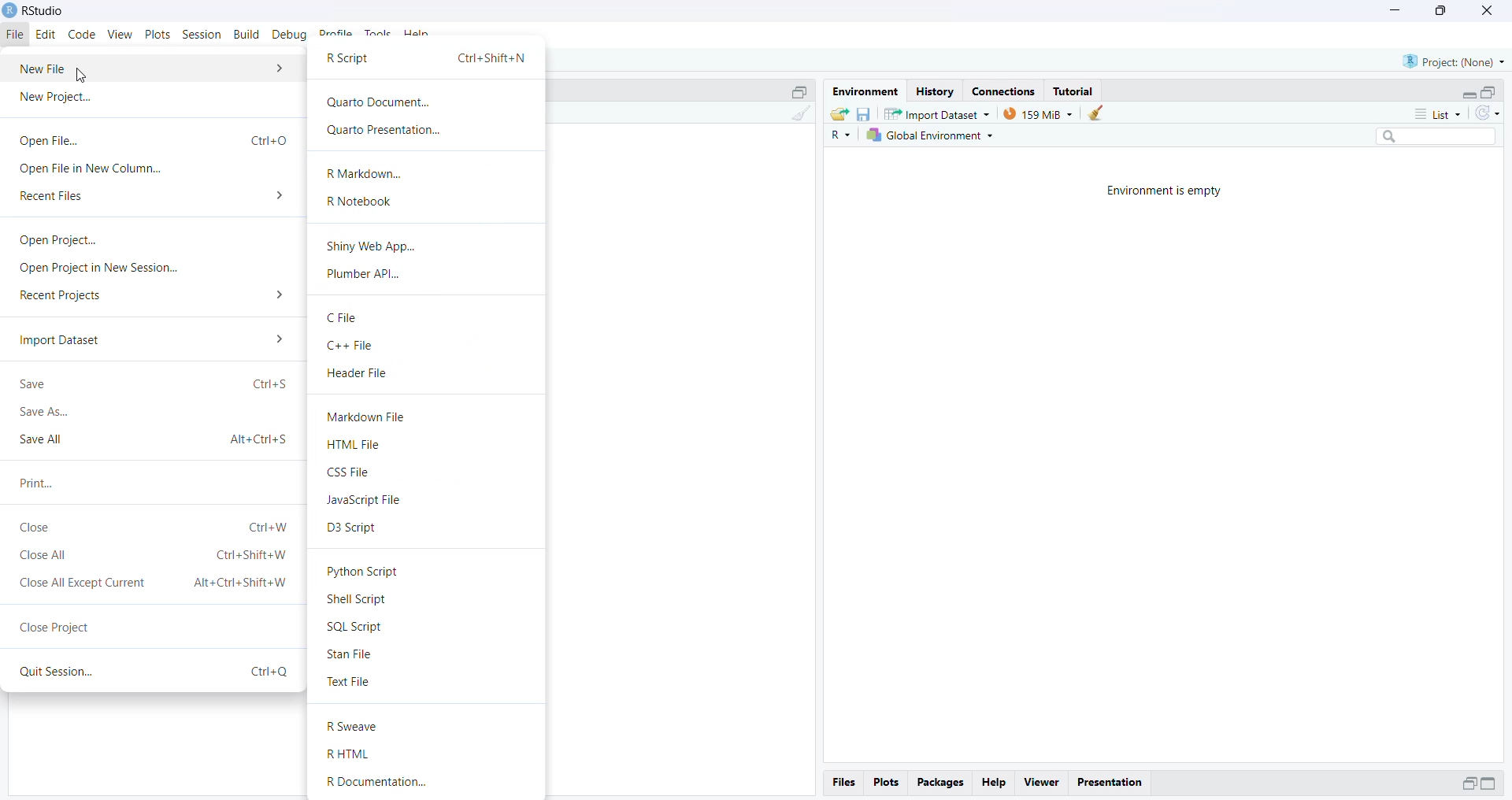 Image resolution: width=1512 pixels, height=800 pixels. I want to click on clear console, so click(799, 115).